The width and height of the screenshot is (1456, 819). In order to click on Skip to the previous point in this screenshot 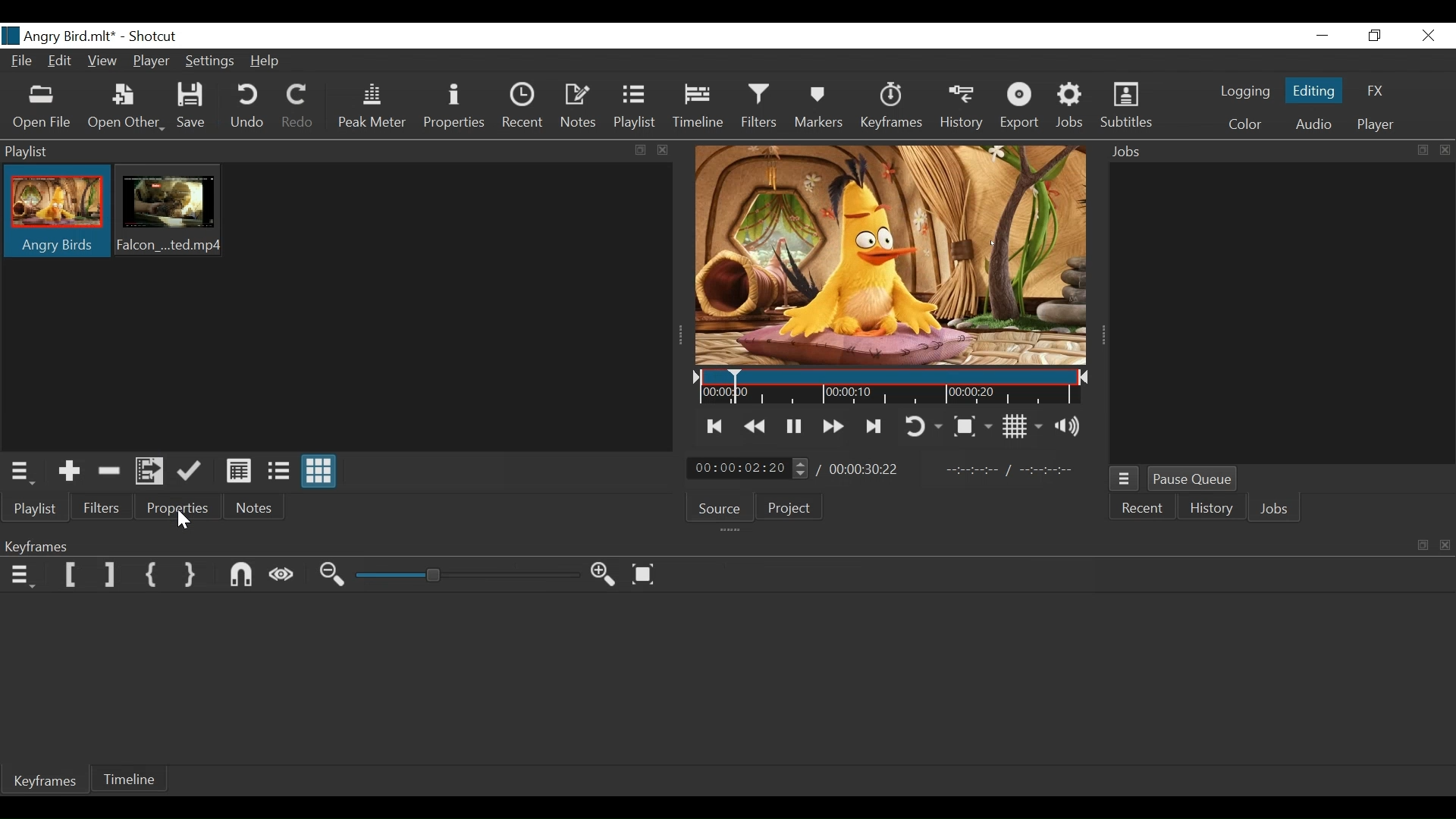, I will do `click(715, 427)`.